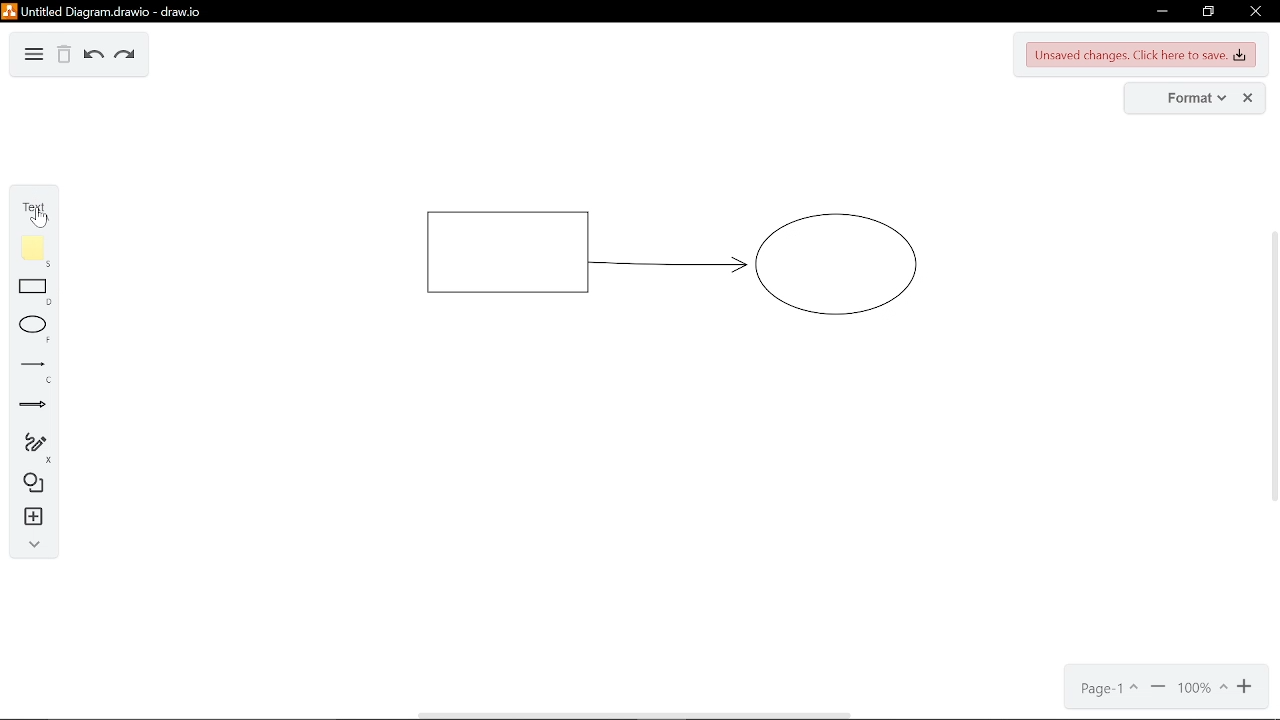  What do you see at coordinates (1162, 13) in the screenshot?
I see `minimize` at bounding box center [1162, 13].